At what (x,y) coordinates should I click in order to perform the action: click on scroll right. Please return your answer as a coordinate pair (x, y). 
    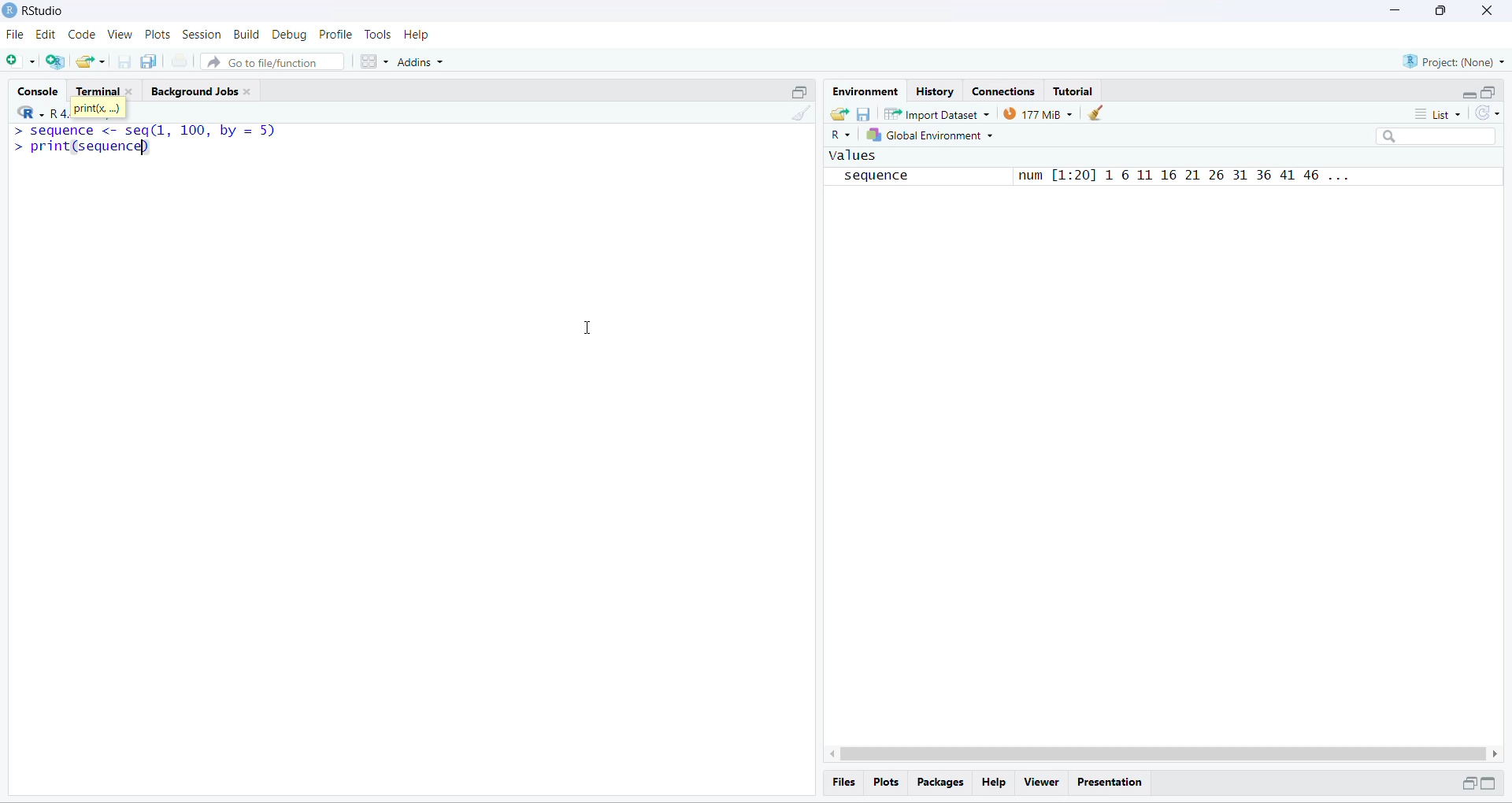
    Looking at the image, I should click on (1496, 754).